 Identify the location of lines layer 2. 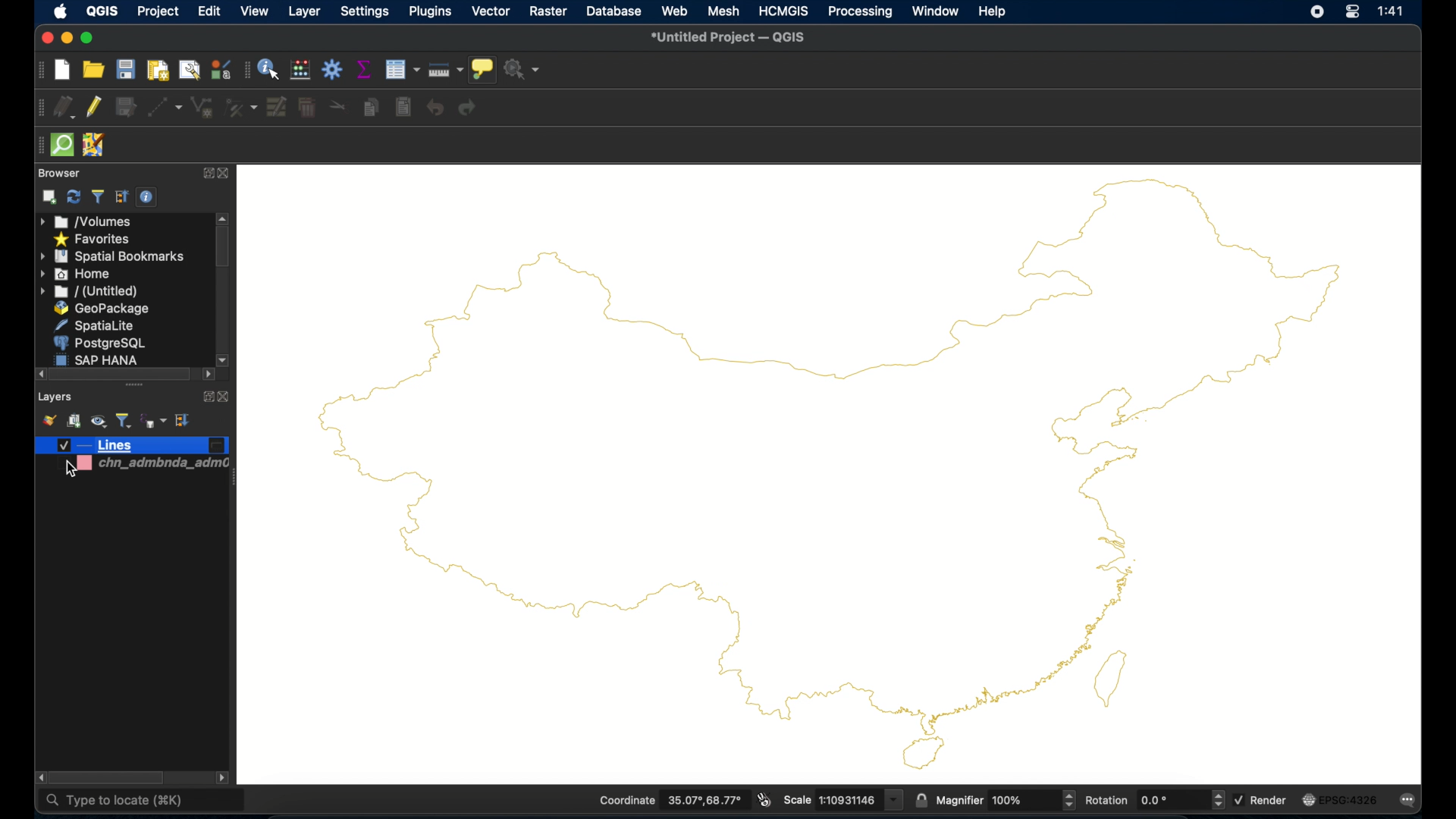
(132, 446).